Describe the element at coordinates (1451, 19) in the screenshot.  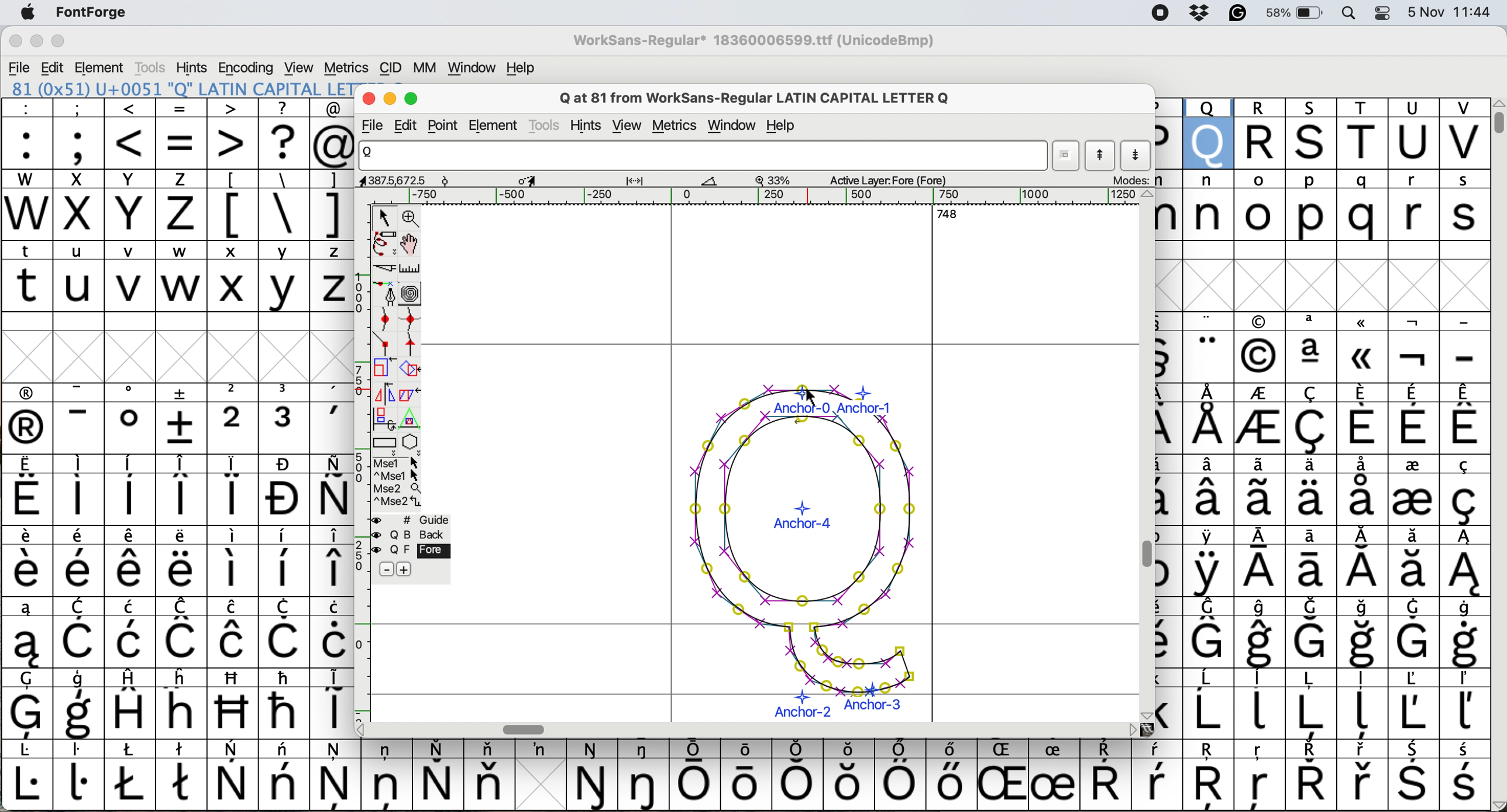
I see `5 Nov 11:44` at that location.